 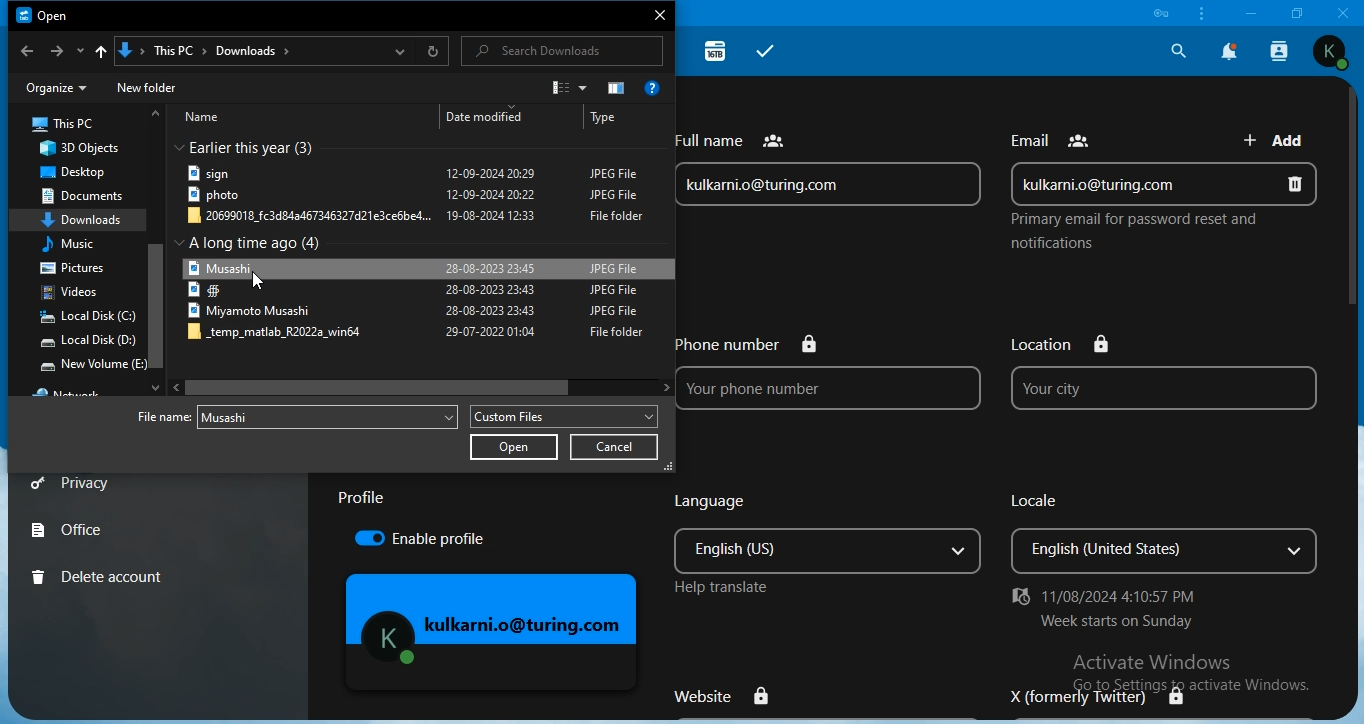 What do you see at coordinates (279, 51) in the screenshot?
I see `location` at bounding box center [279, 51].